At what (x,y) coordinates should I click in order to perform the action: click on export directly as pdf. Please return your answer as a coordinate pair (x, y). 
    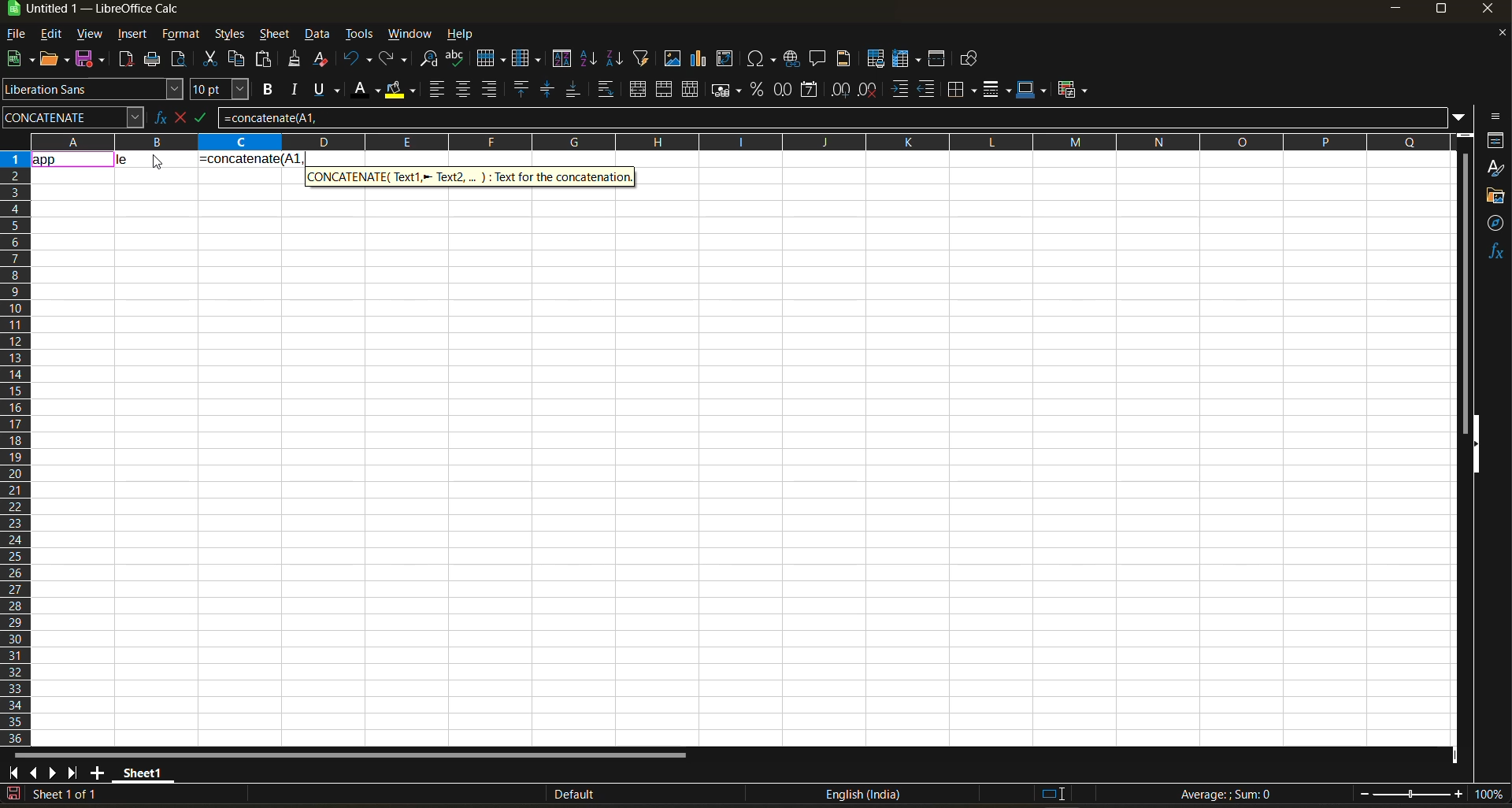
    Looking at the image, I should click on (125, 61).